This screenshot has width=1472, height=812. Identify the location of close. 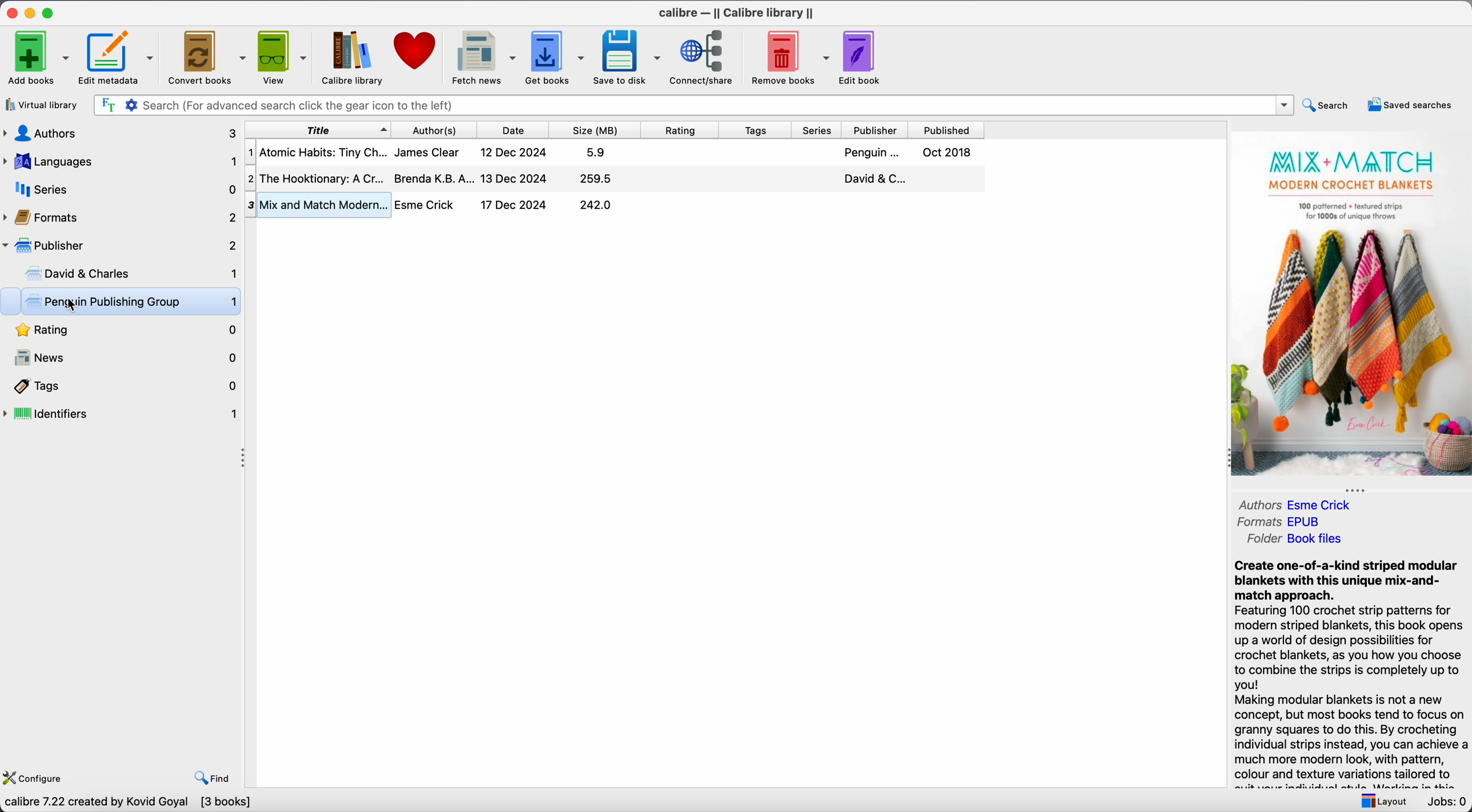
(10, 13).